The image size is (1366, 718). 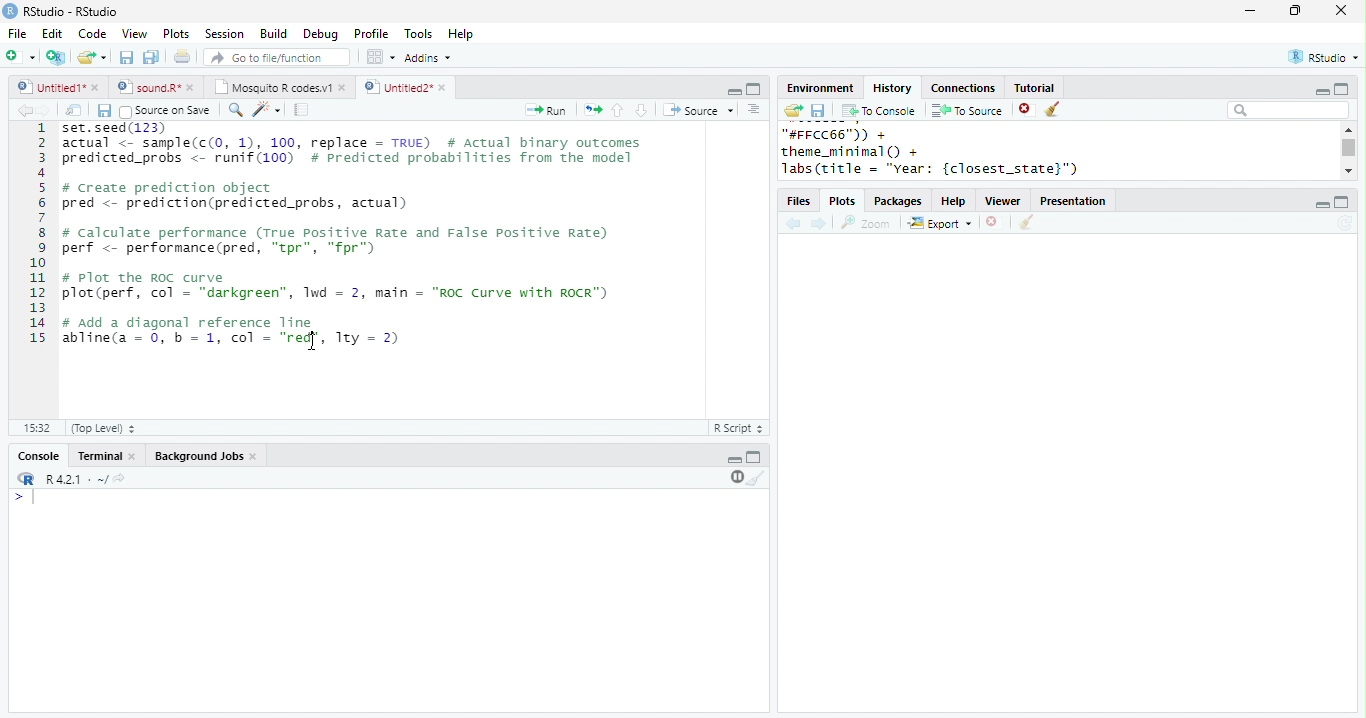 I want to click on run, so click(x=545, y=110).